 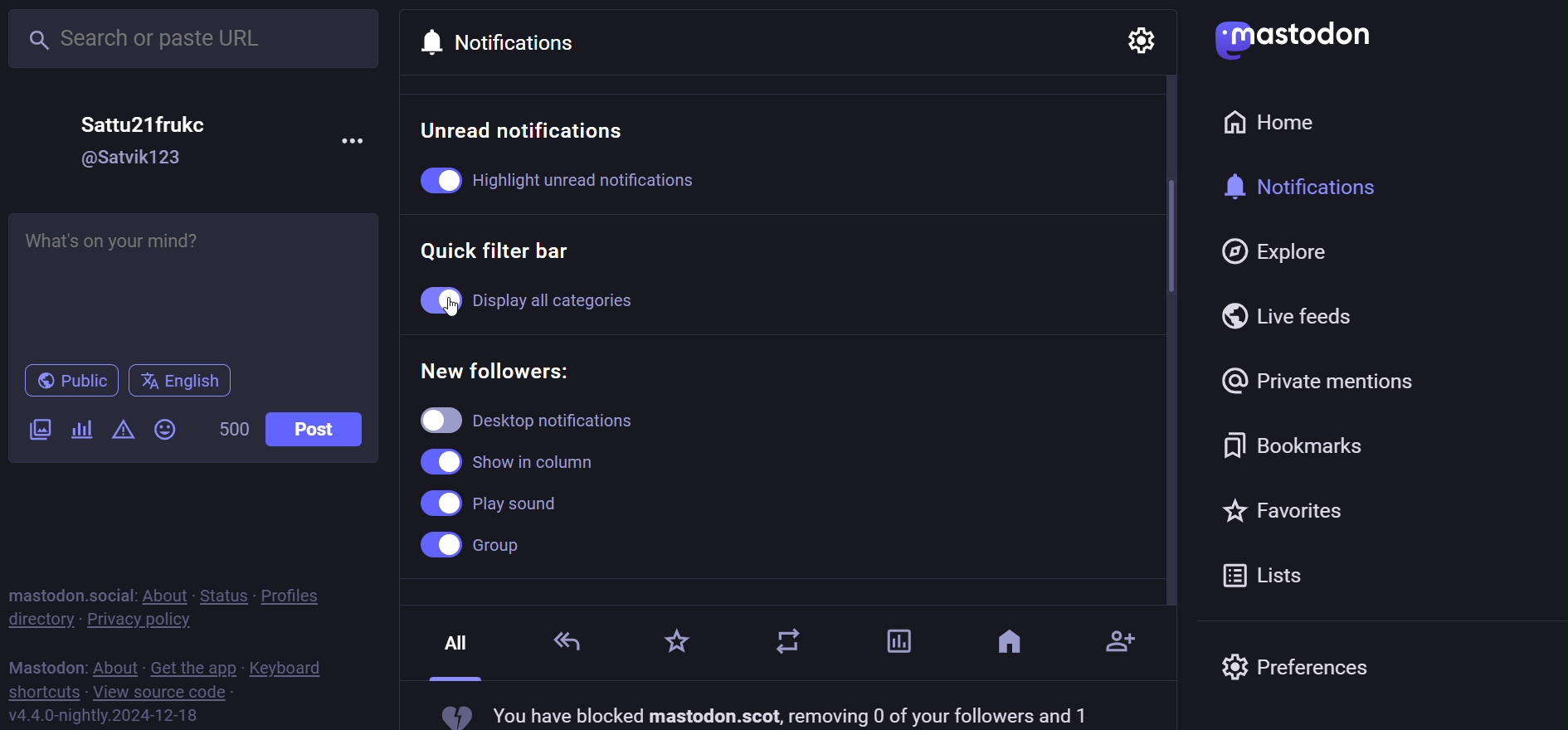 What do you see at coordinates (568, 640) in the screenshot?
I see `reply` at bounding box center [568, 640].